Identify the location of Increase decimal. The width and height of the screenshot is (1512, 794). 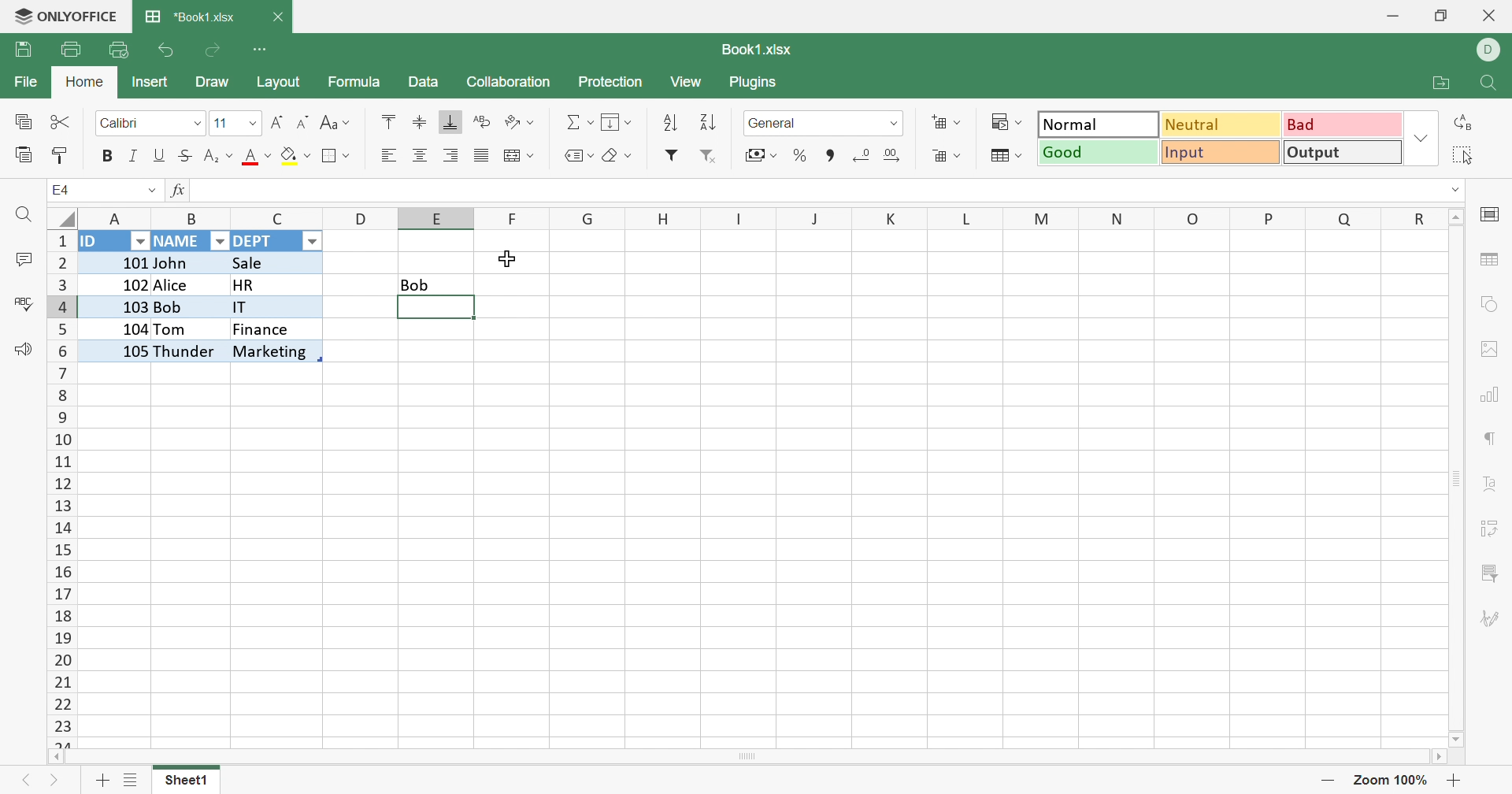
(895, 156).